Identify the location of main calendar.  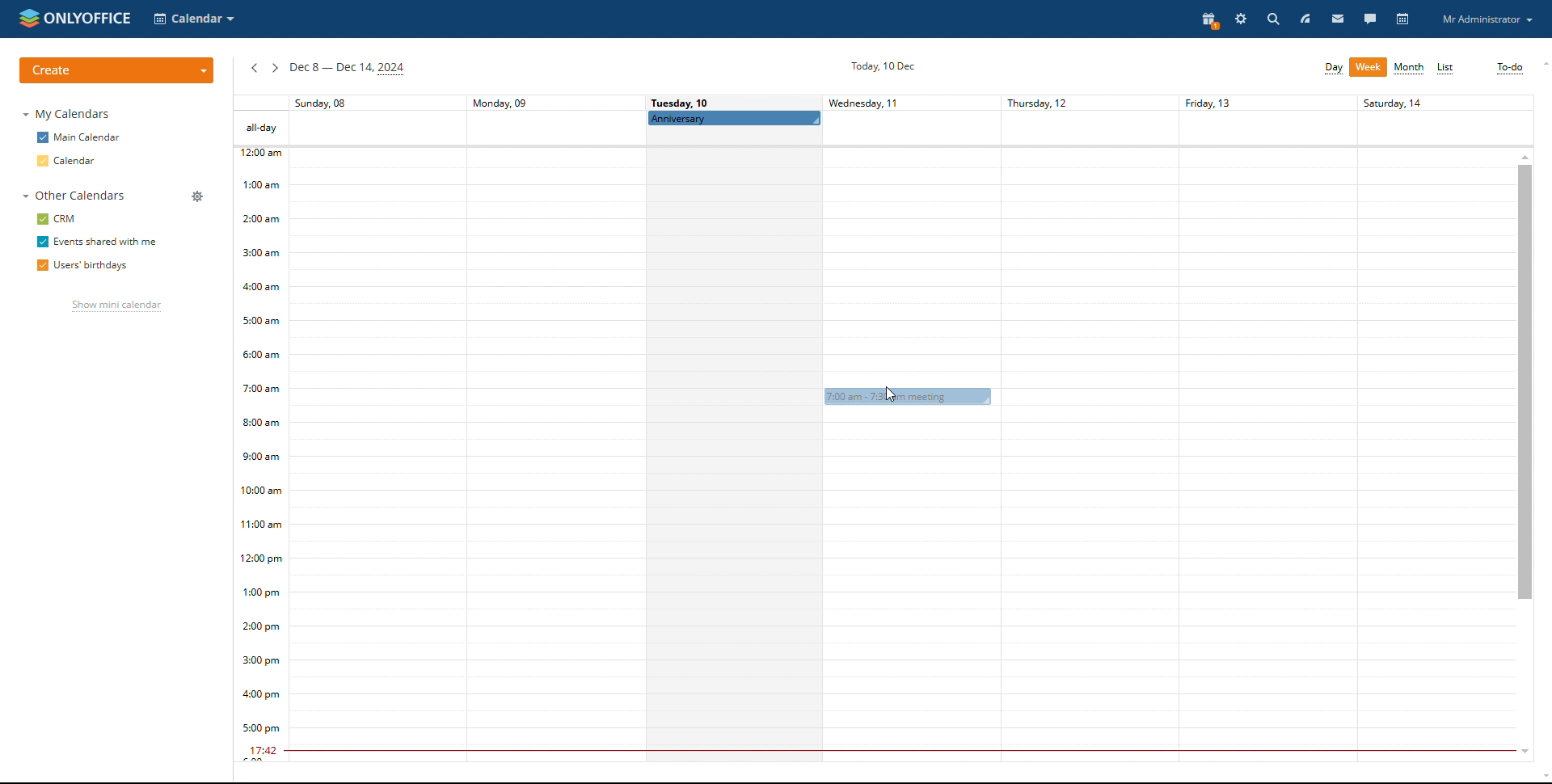
(78, 137).